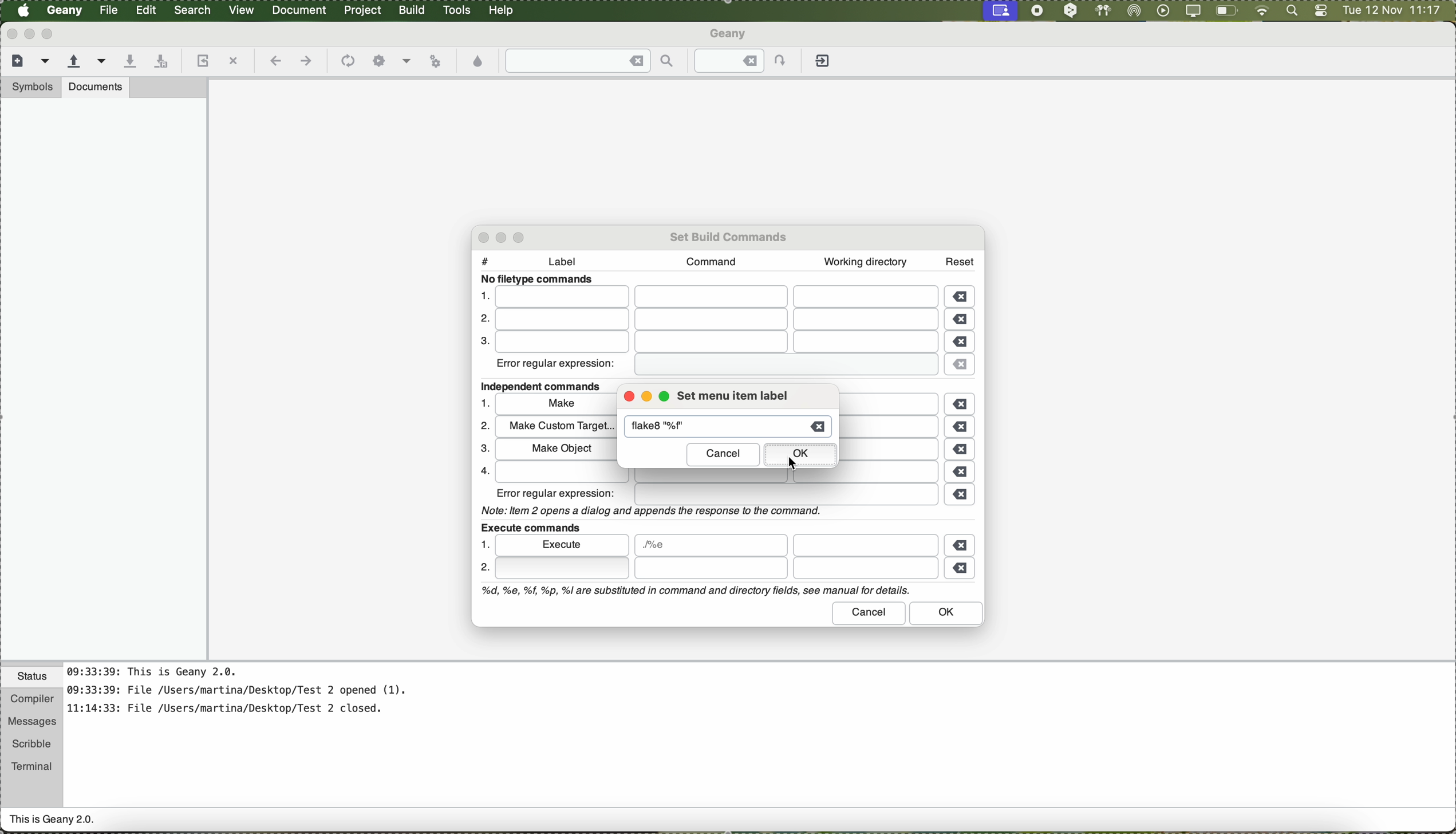 This screenshot has width=1456, height=834. Describe the element at coordinates (482, 343) in the screenshot. I see `3` at that location.